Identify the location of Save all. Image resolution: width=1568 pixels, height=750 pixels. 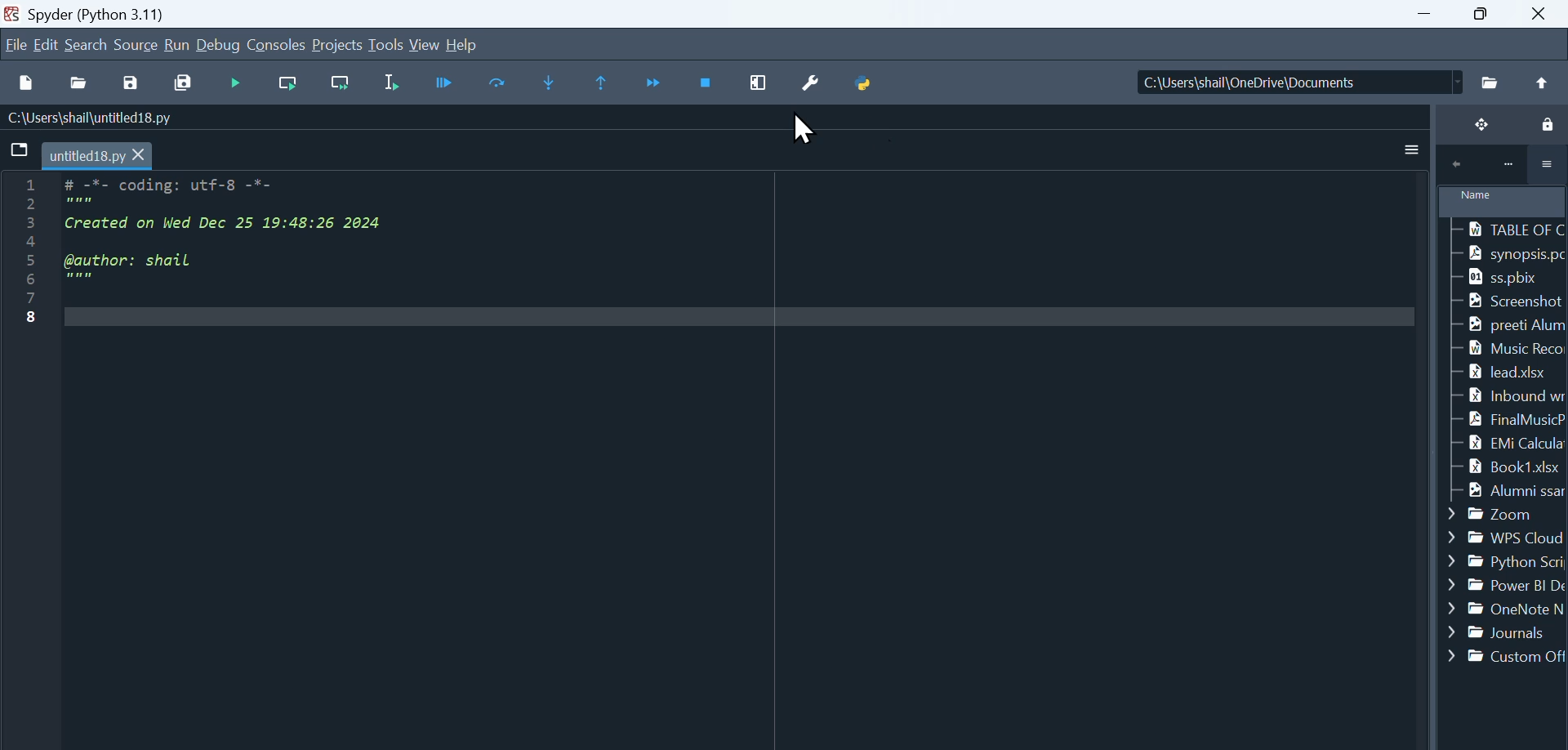
(181, 81).